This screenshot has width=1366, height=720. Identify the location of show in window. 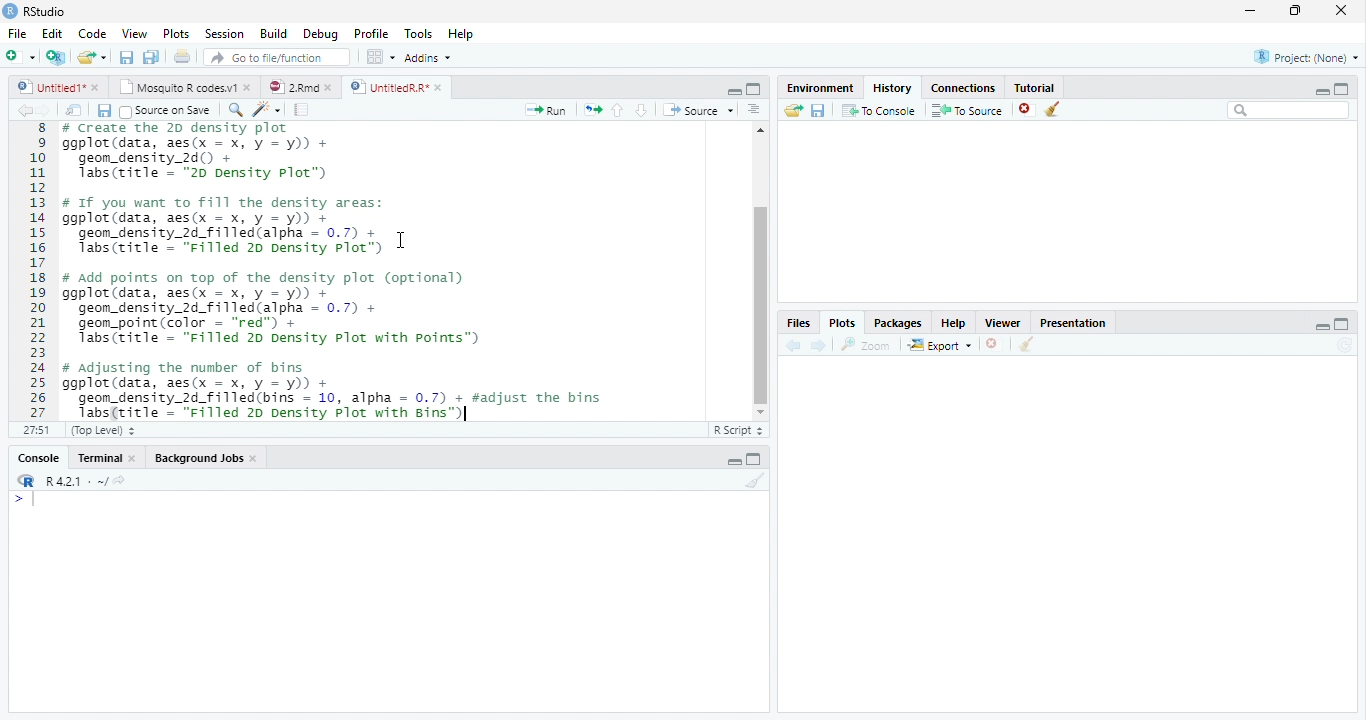
(75, 111).